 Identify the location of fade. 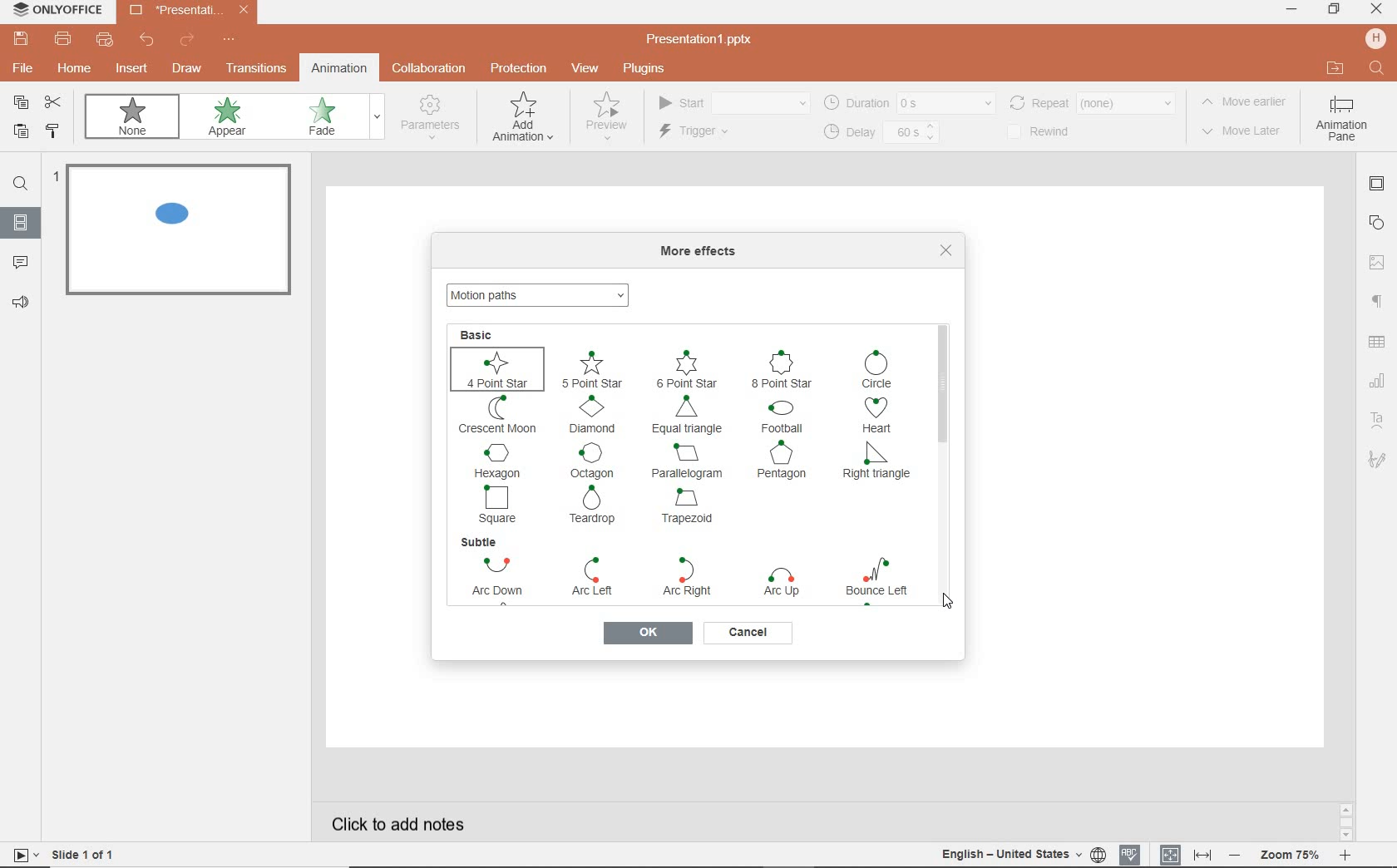
(331, 118).